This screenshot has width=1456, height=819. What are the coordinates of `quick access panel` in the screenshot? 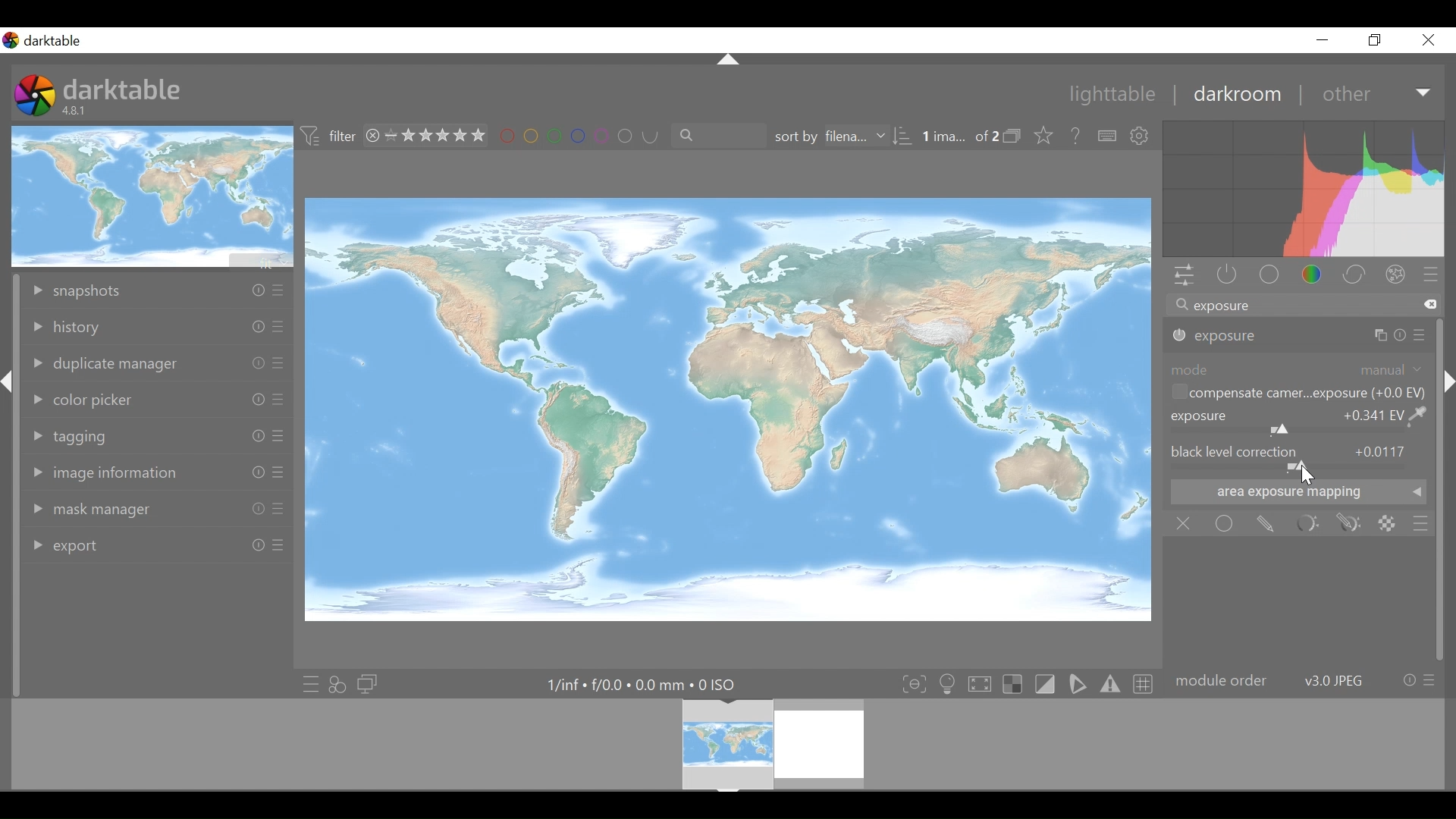 It's located at (1185, 276).